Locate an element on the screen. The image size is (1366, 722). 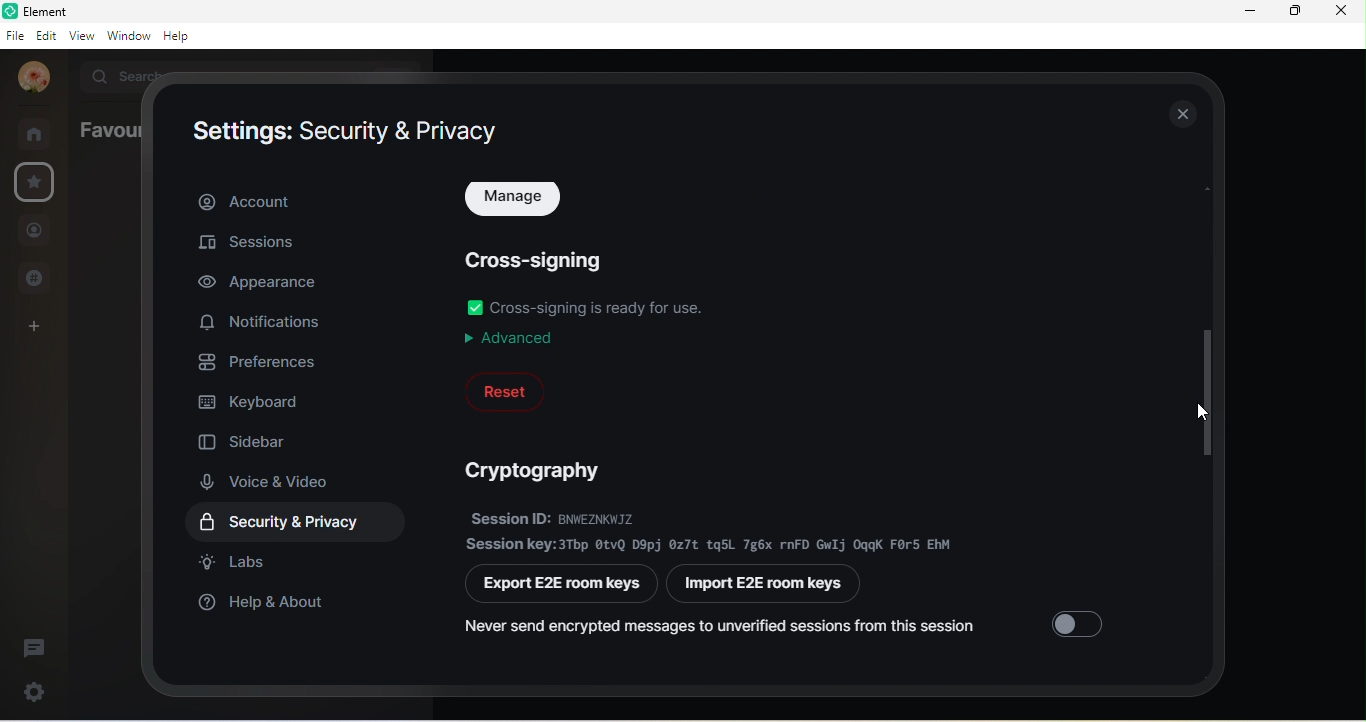
toggle switch is located at coordinates (1081, 620).